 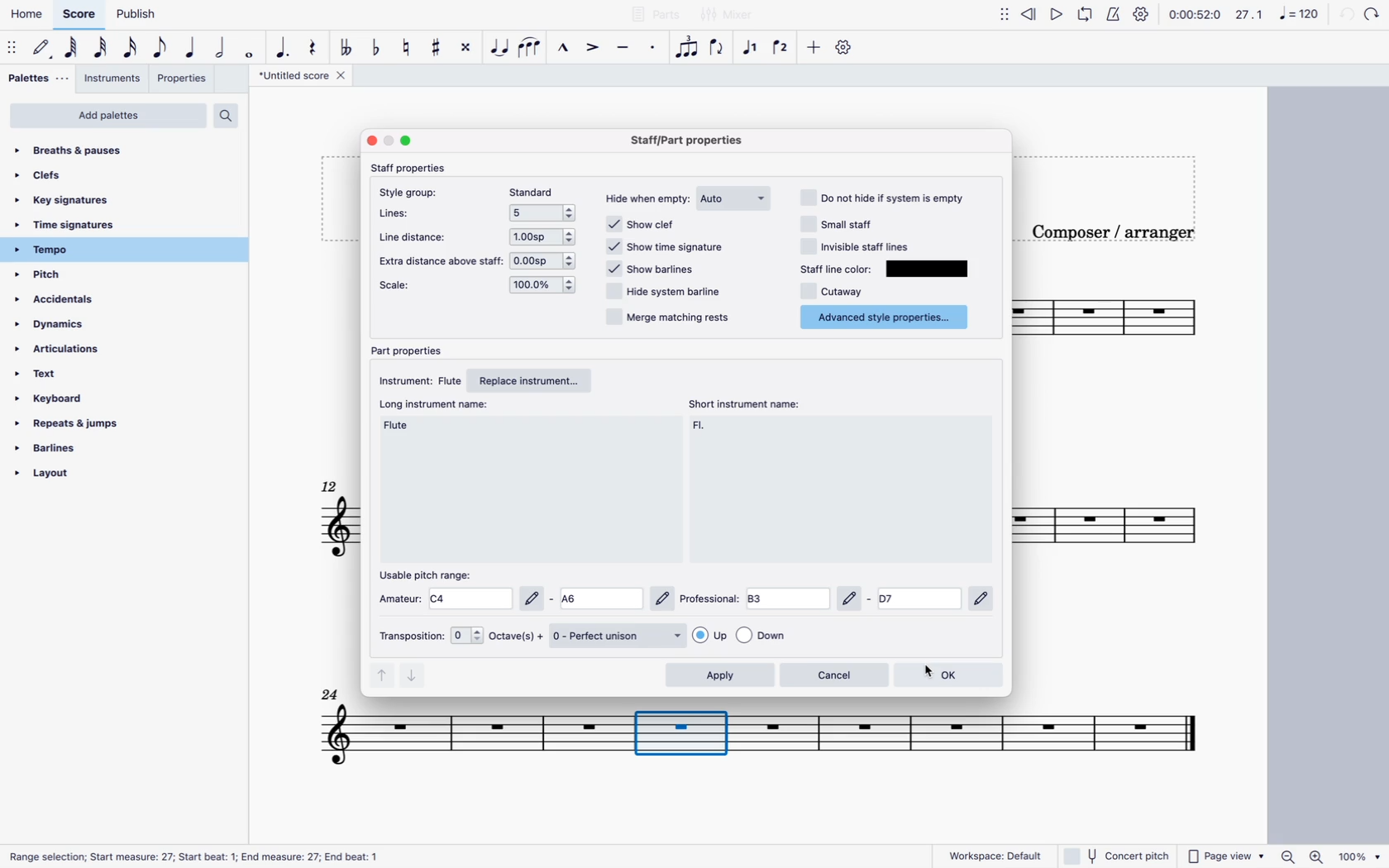 What do you see at coordinates (833, 674) in the screenshot?
I see `cancel` at bounding box center [833, 674].